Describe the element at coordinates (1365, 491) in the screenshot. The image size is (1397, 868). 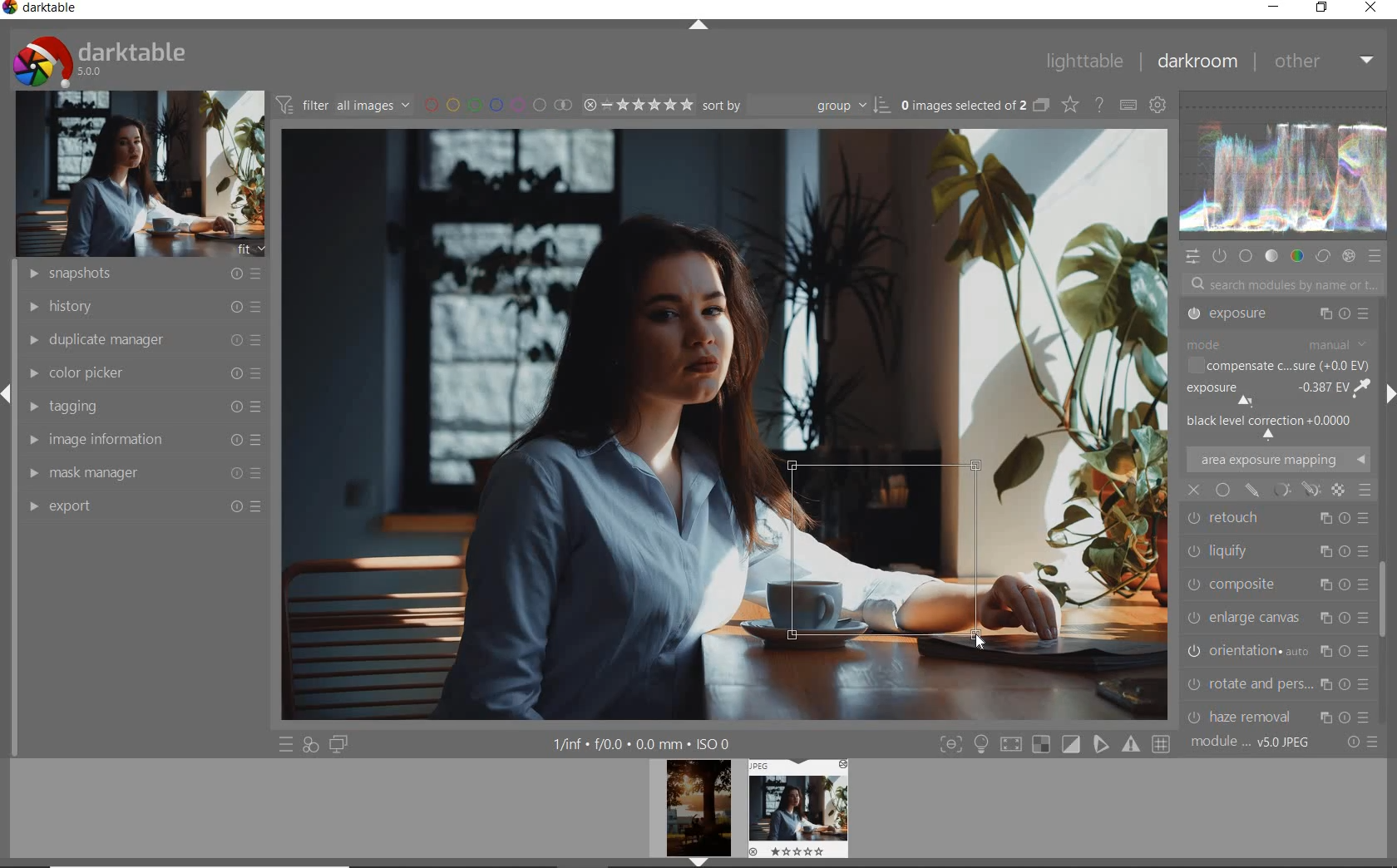
I see `blending options` at that location.